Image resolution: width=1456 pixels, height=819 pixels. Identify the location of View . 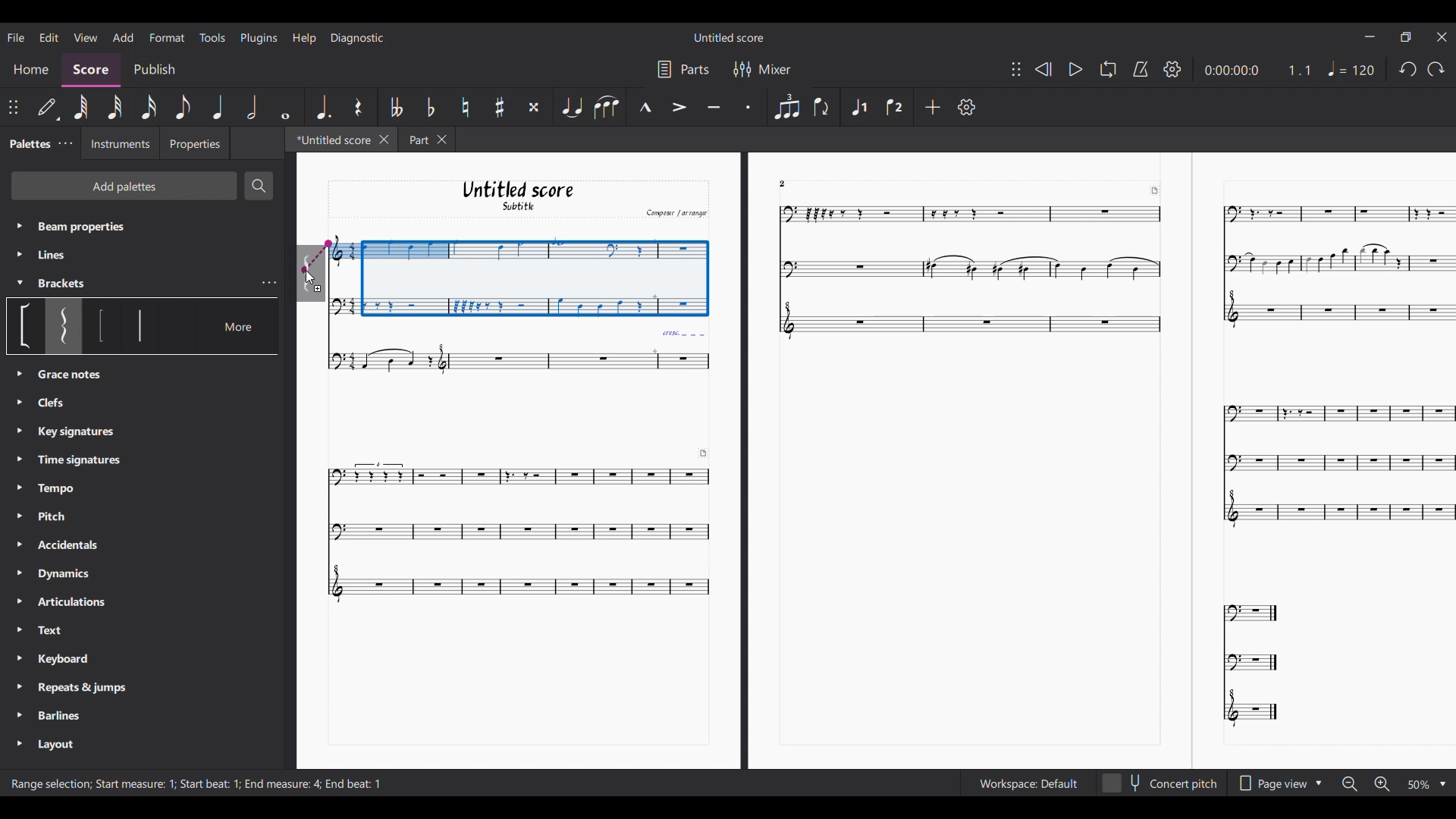
(86, 37).